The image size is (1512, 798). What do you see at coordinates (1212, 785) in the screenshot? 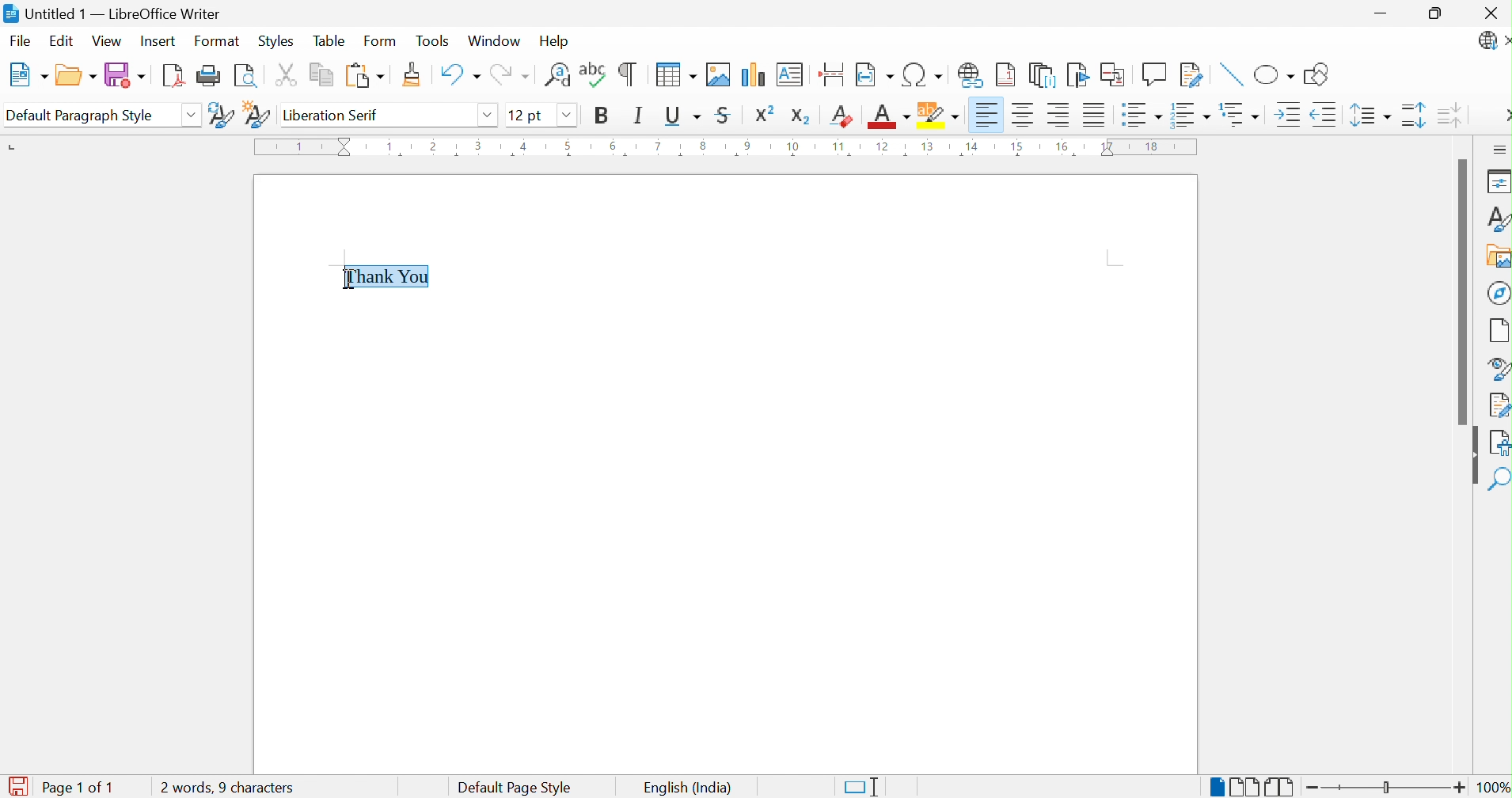
I see `Single-page View` at bounding box center [1212, 785].